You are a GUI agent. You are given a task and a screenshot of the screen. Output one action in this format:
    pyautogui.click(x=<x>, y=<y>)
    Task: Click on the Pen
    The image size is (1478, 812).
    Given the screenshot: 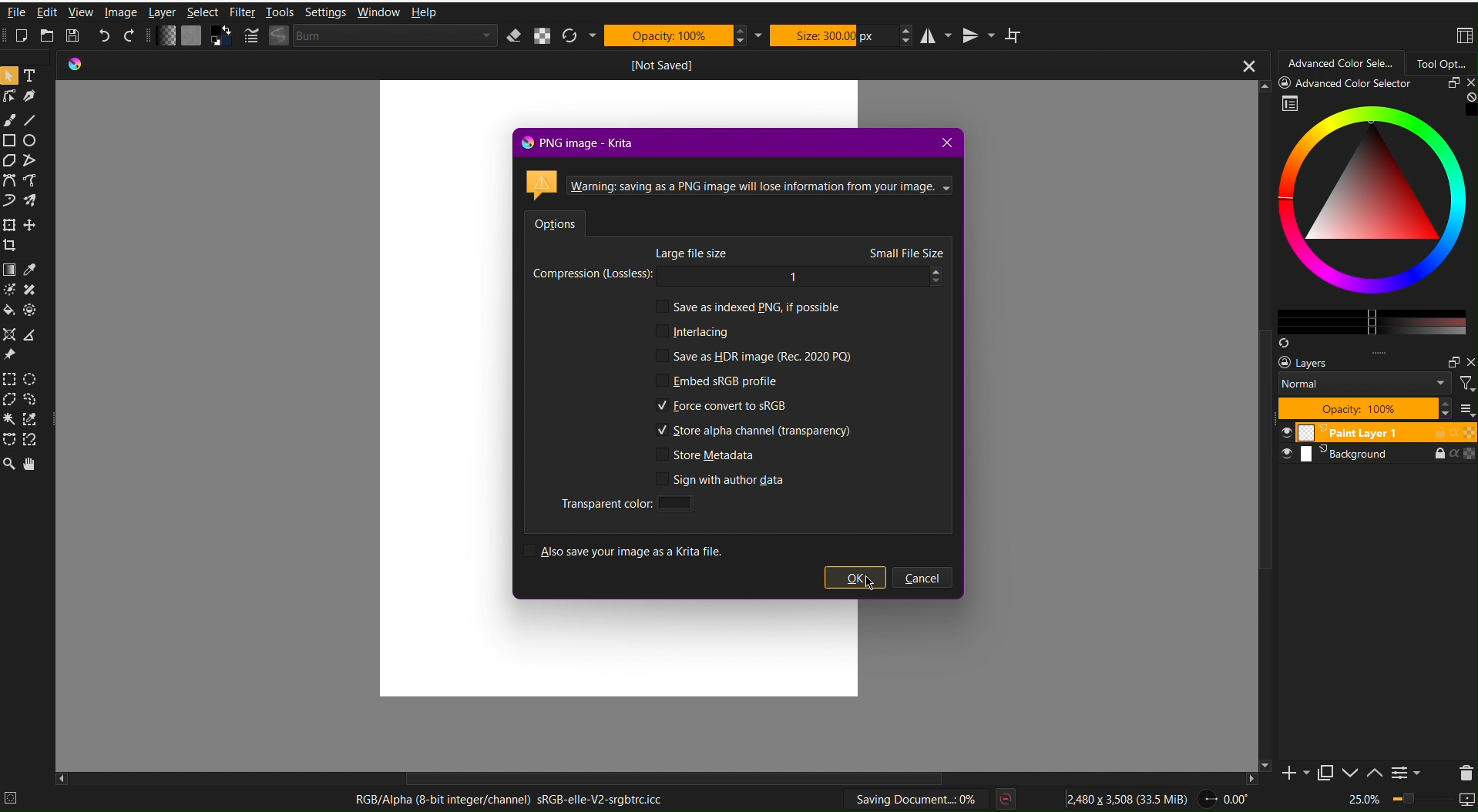 What is the action you would take?
    pyautogui.click(x=32, y=99)
    